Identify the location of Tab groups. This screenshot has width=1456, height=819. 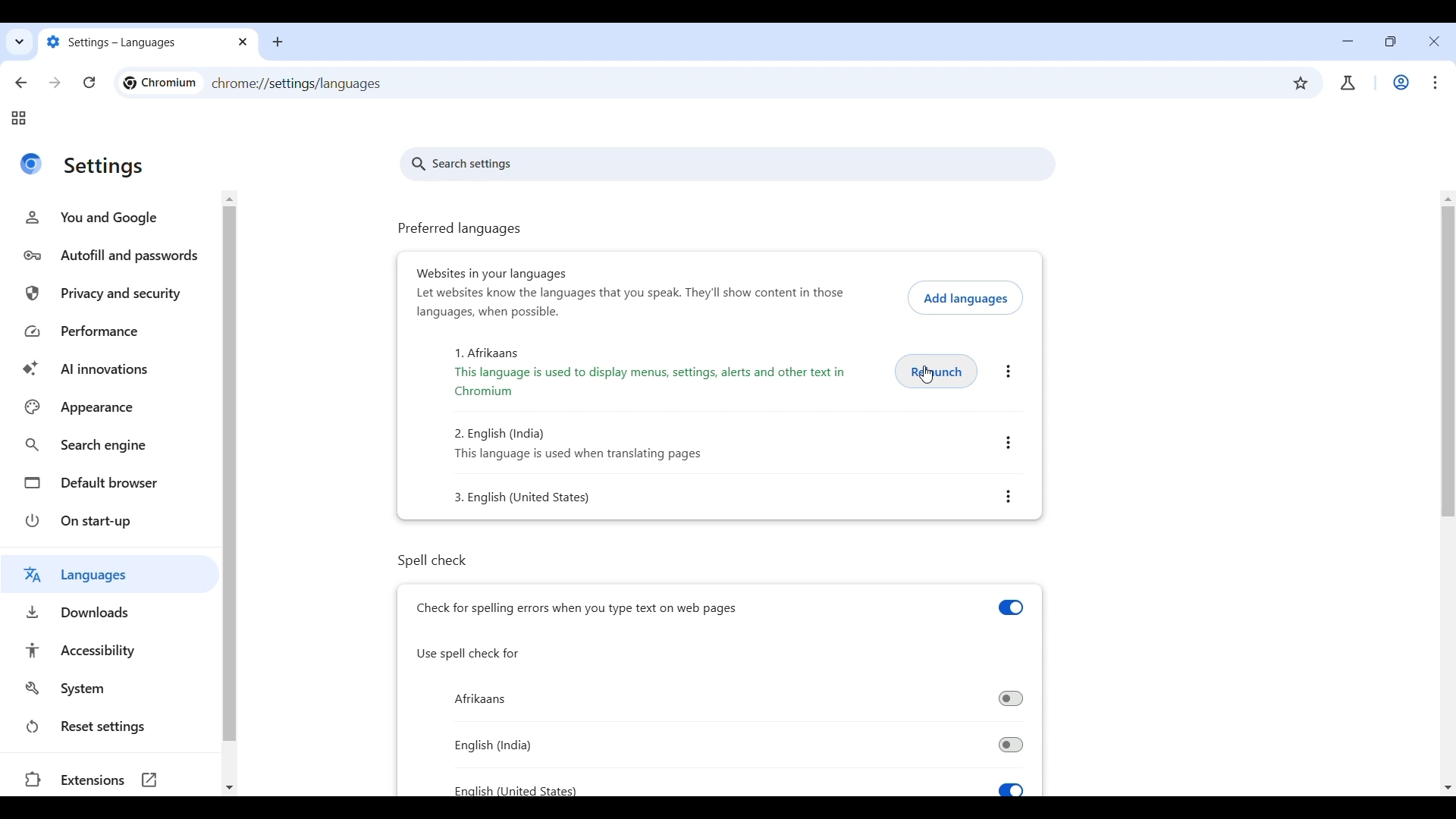
(18, 118).